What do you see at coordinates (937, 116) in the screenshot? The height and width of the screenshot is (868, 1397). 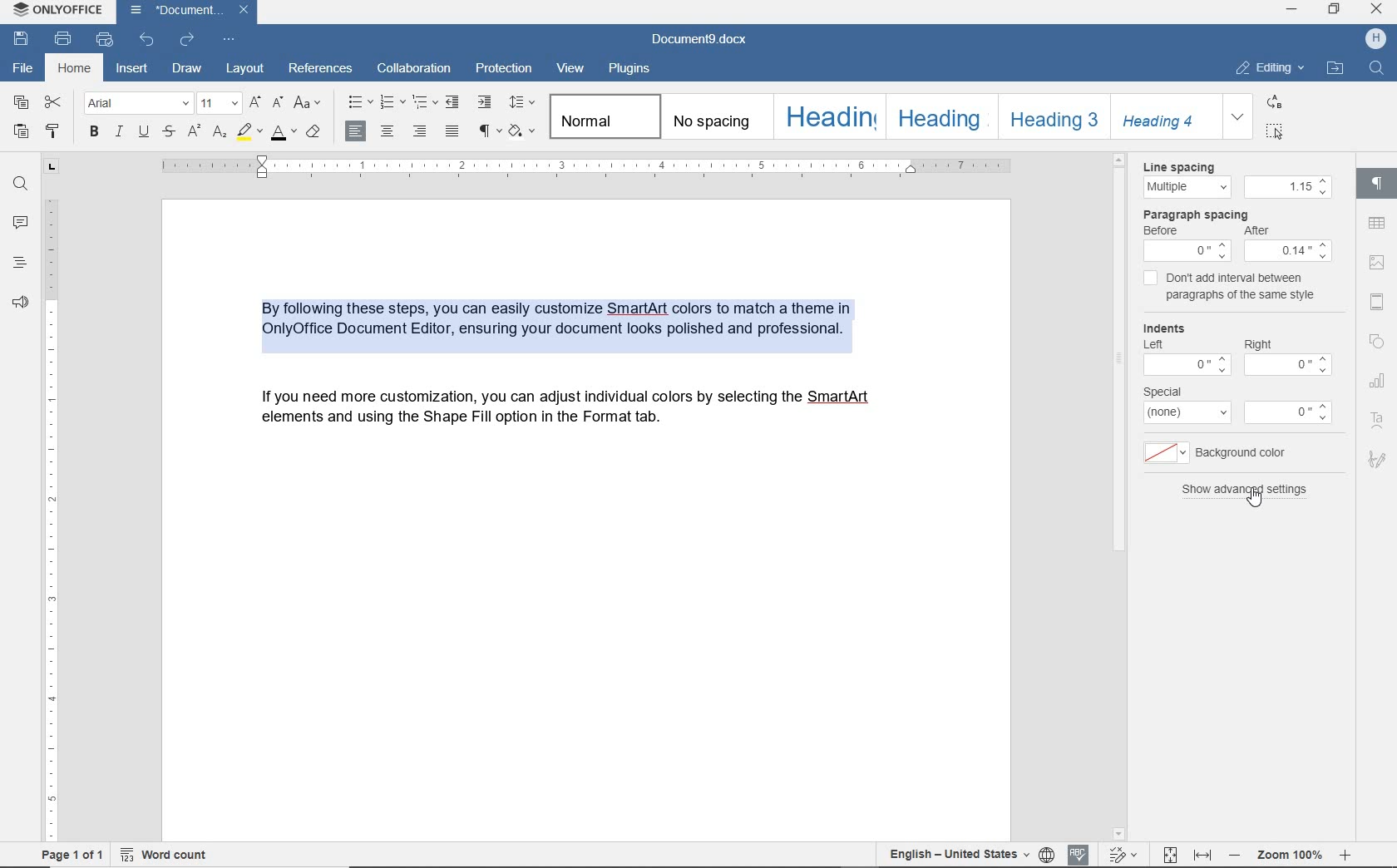 I see `heading 2` at bounding box center [937, 116].